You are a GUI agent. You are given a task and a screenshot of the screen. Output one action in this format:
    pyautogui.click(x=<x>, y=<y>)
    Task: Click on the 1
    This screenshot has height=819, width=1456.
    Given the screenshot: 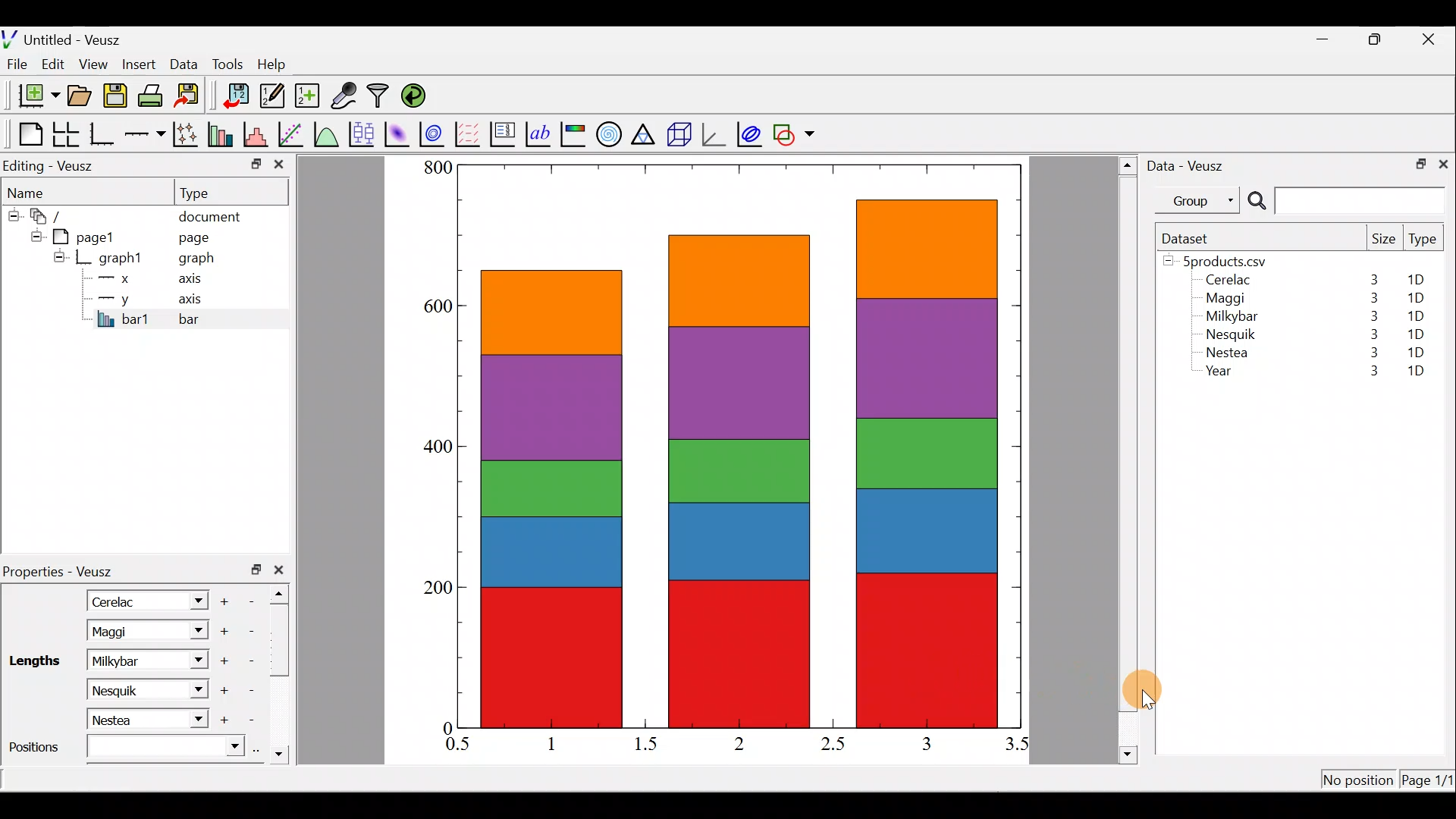 What is the action you would take?
    pyautogui.click(x=563, y=743)
    